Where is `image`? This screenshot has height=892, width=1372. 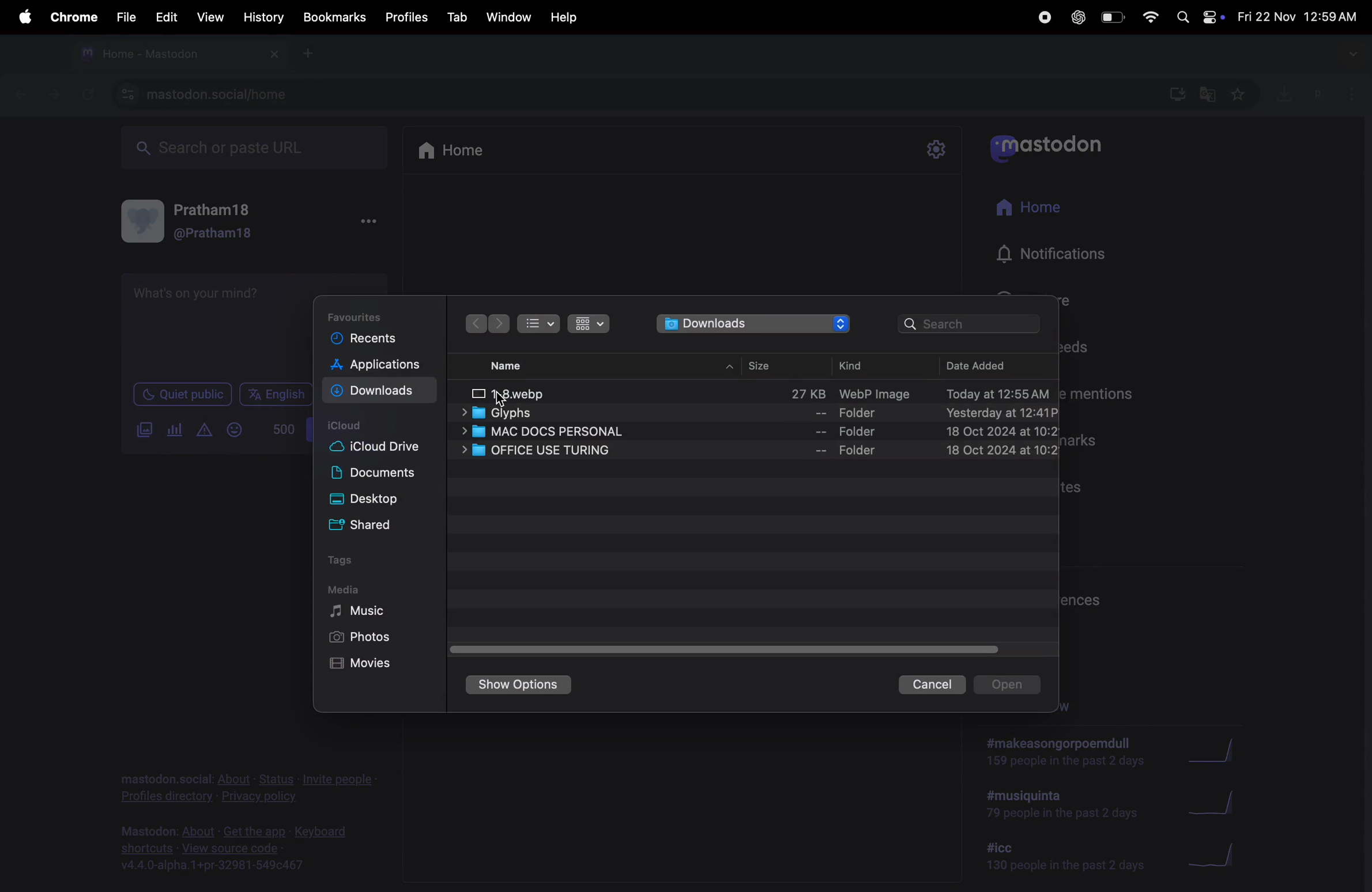
image is located at coordinates (763, 392).